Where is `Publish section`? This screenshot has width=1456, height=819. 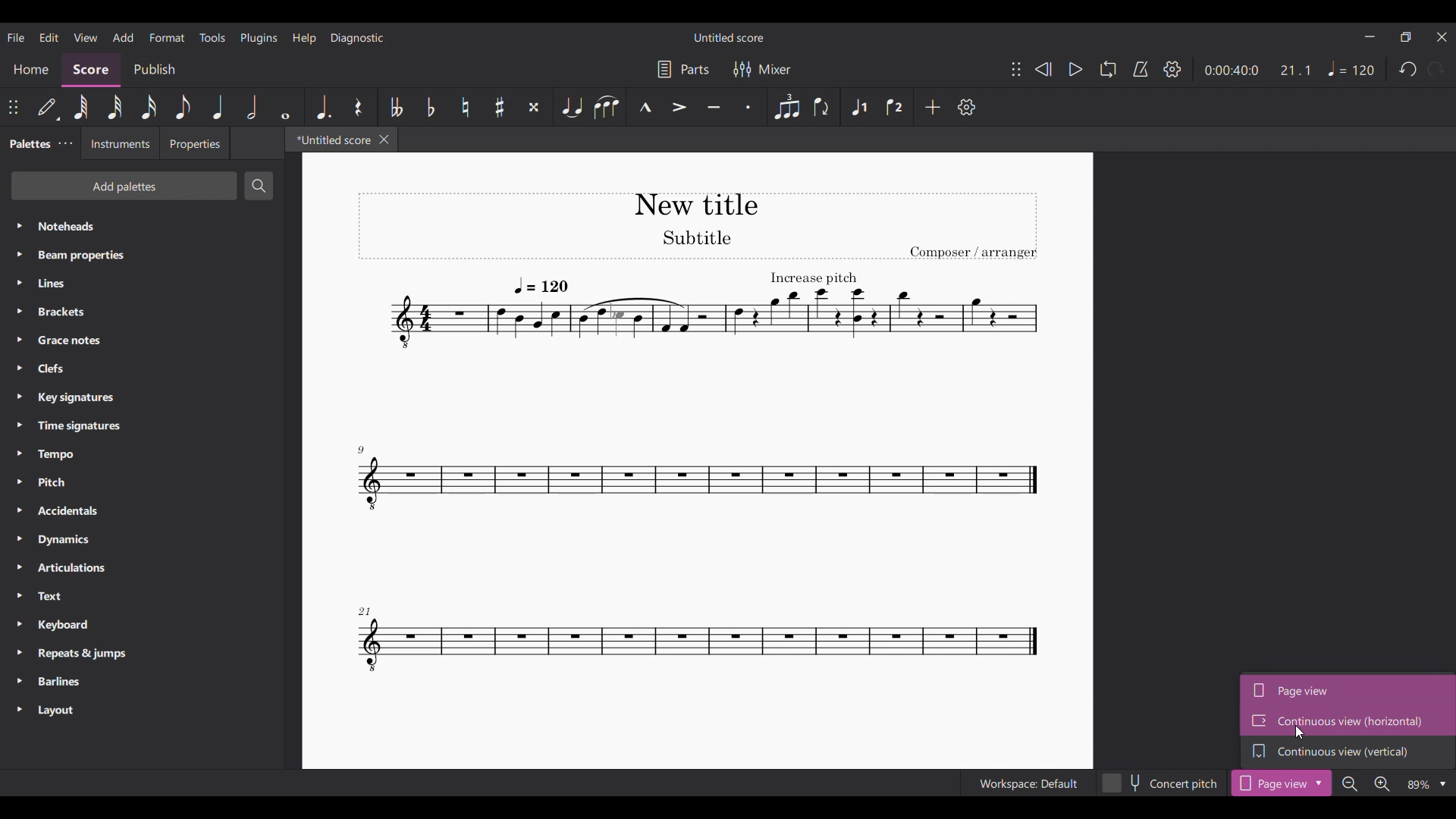
Publish section is located at coordinates (153, 70).